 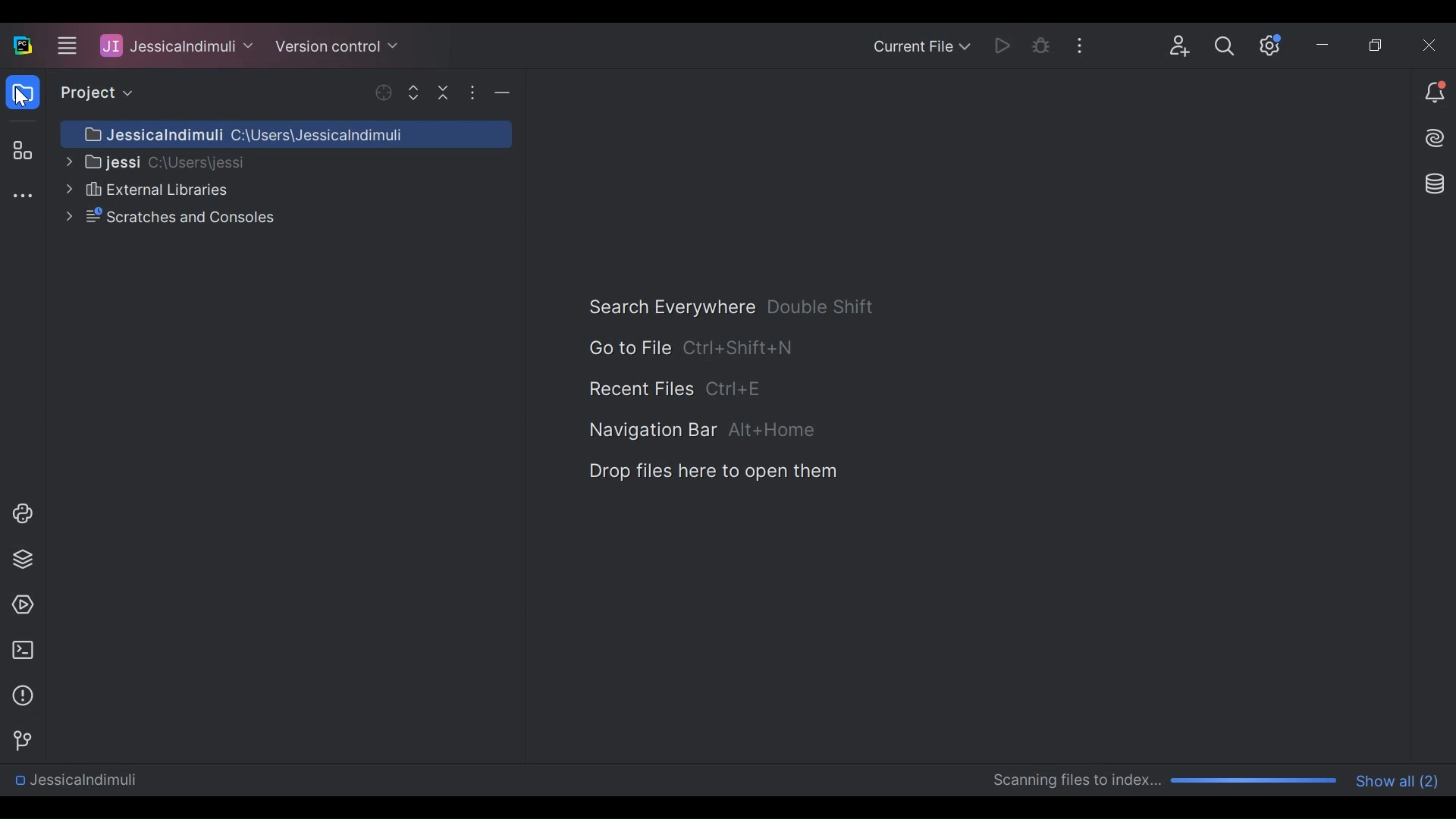 What do you see at coordinates (505, 91) in the screenshot?
I see `Minimize` at bounding box center [505, 91].